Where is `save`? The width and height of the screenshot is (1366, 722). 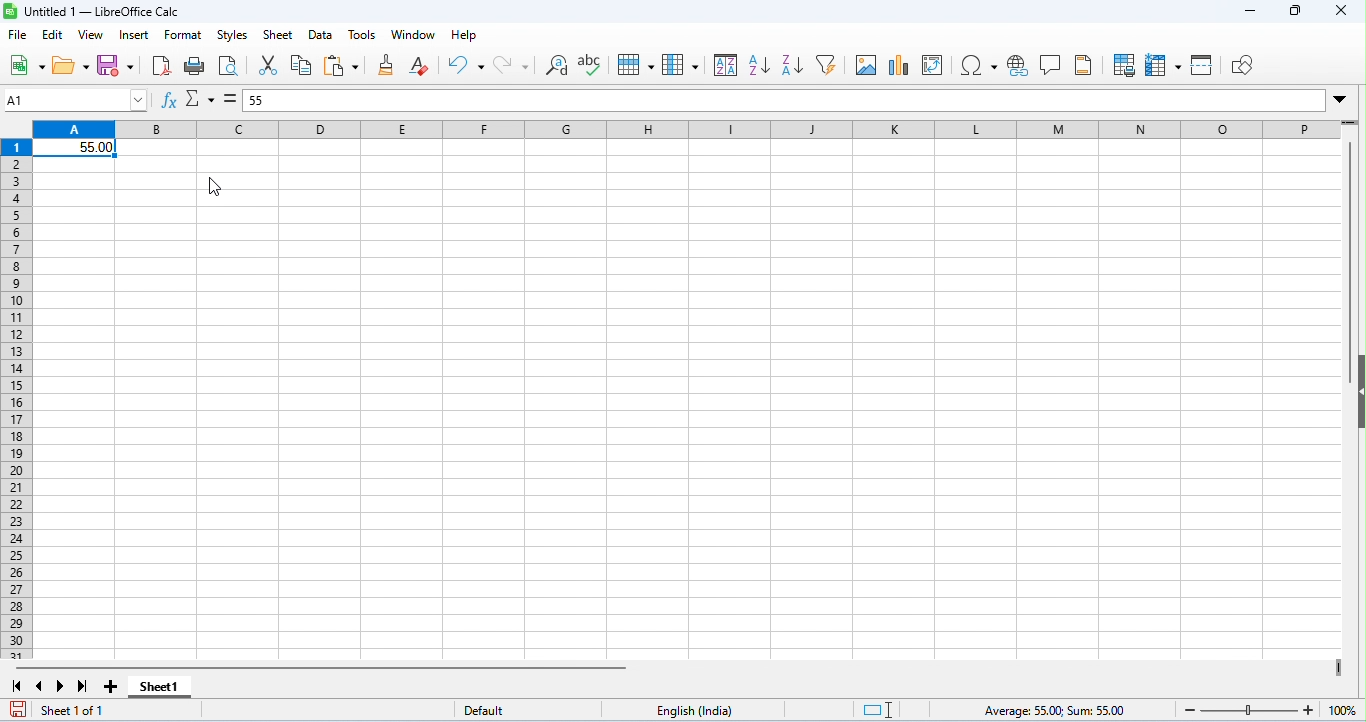
save is located at coordinates (116, 66).